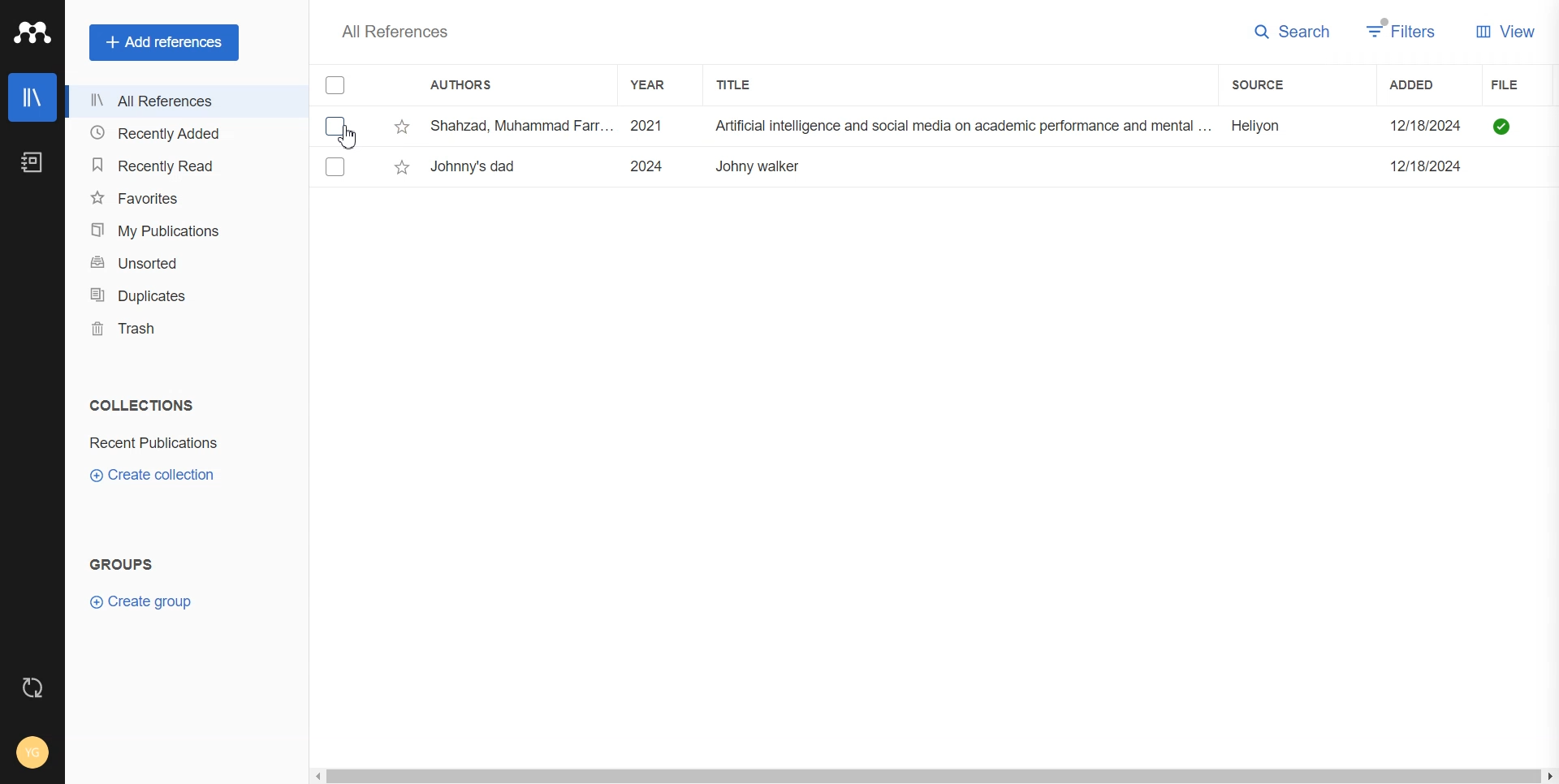 The height and width of the screenshot is (784, 1559). What do you see at coordinates (403, 127) in the screenshot?
I see `star` at bounding box center [403, 127].